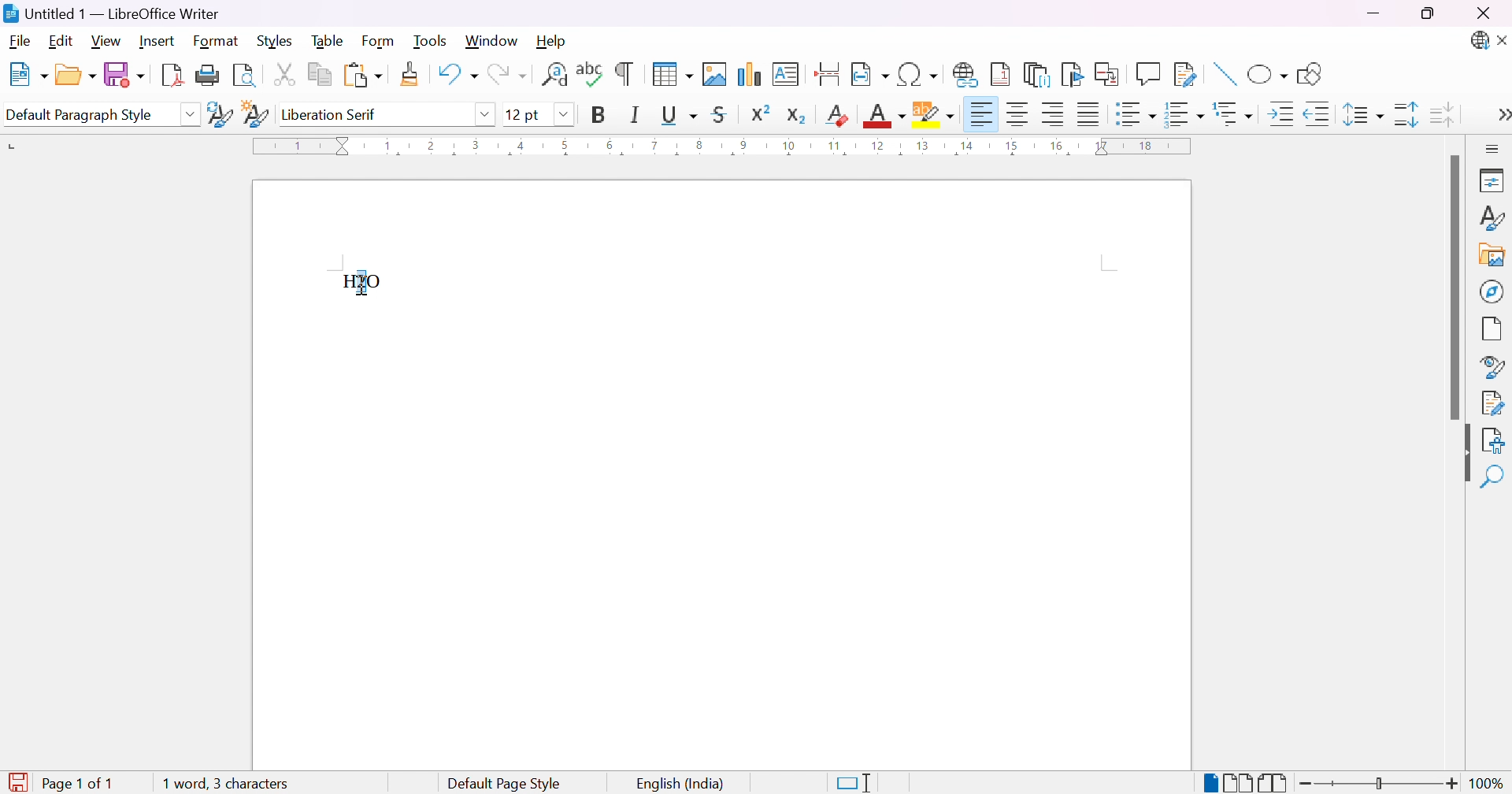 The image size is (1512, 794). Describe the element at coordinates (723, 114) in the screenshot. I see `Strikethrough` at that location.